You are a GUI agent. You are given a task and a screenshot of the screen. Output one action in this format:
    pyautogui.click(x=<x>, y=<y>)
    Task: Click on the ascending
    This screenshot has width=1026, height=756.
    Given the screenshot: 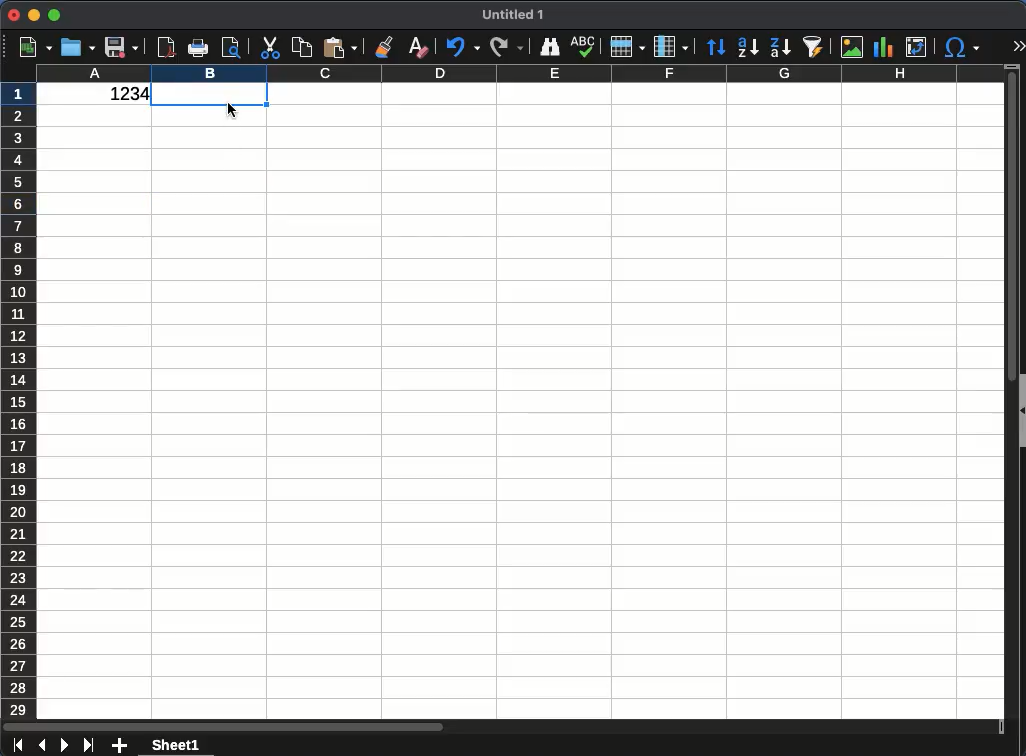 What is the action you would take?
    pyautogui.click(x=747, y=47)
    